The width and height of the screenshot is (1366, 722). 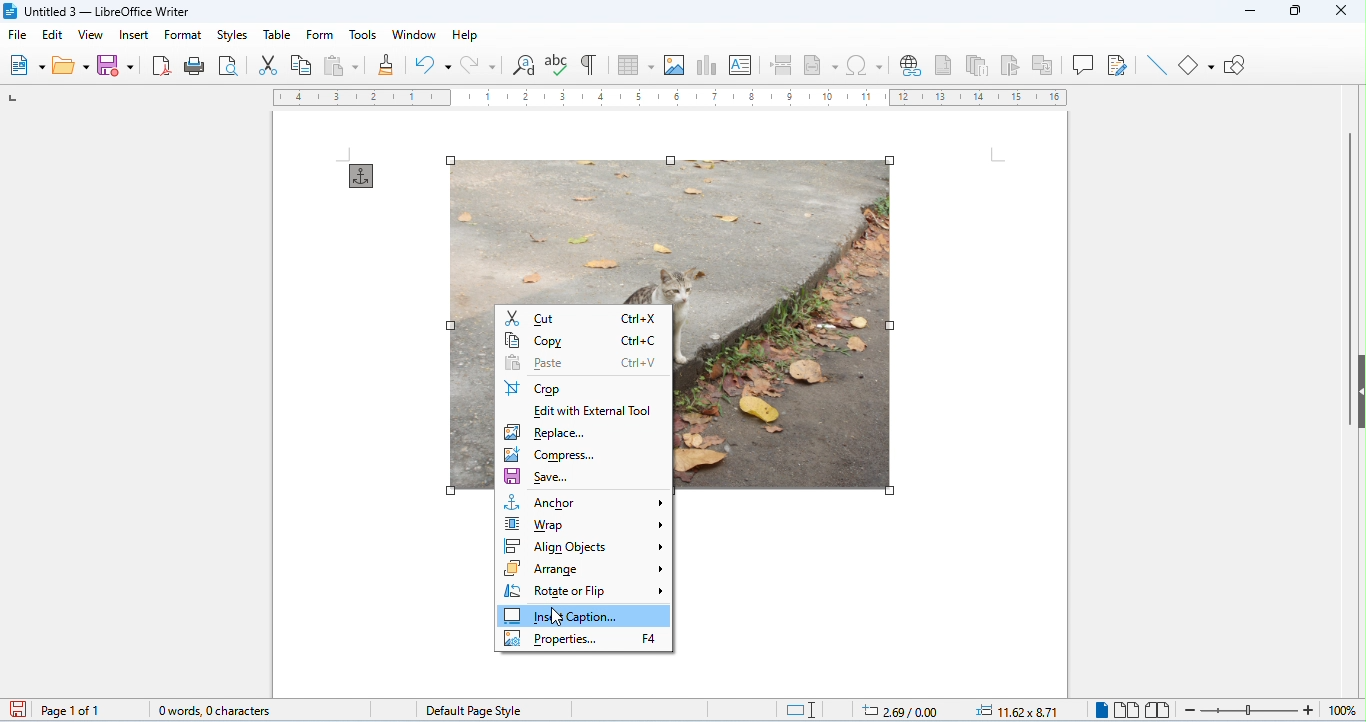 What do you see at coordinates (585, 568) in the screenshot?
I see `arrange` at bounding box center [585, 568].